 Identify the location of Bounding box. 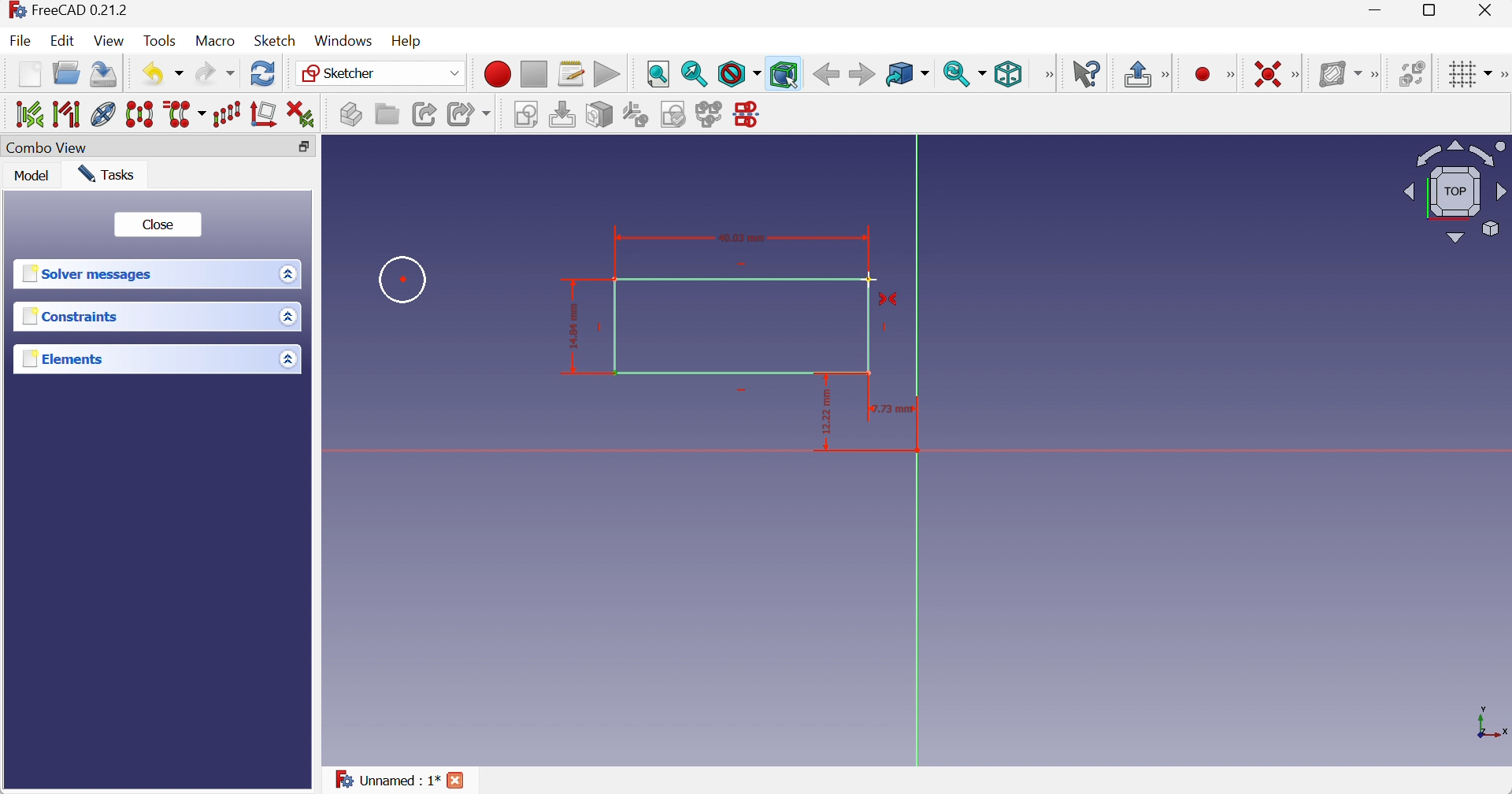
(784, 74).